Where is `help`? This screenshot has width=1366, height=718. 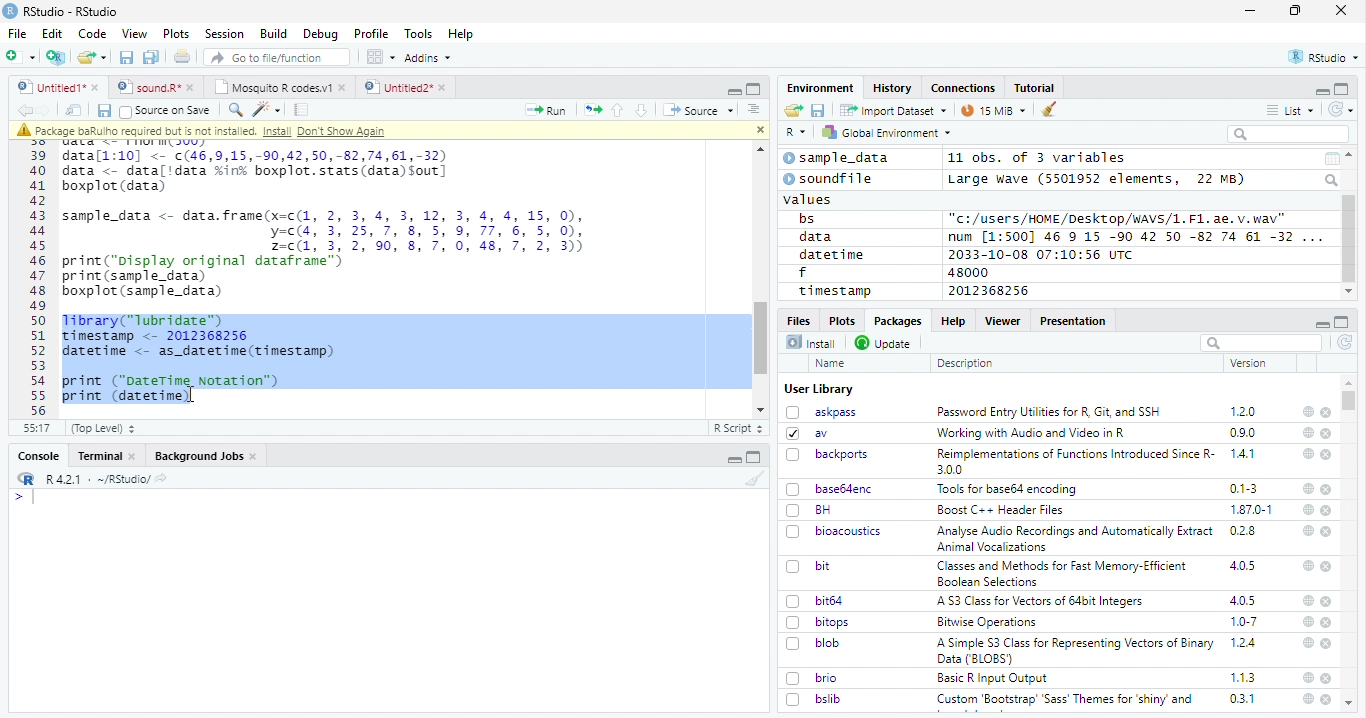
help is located at coordinates (1308, 489).